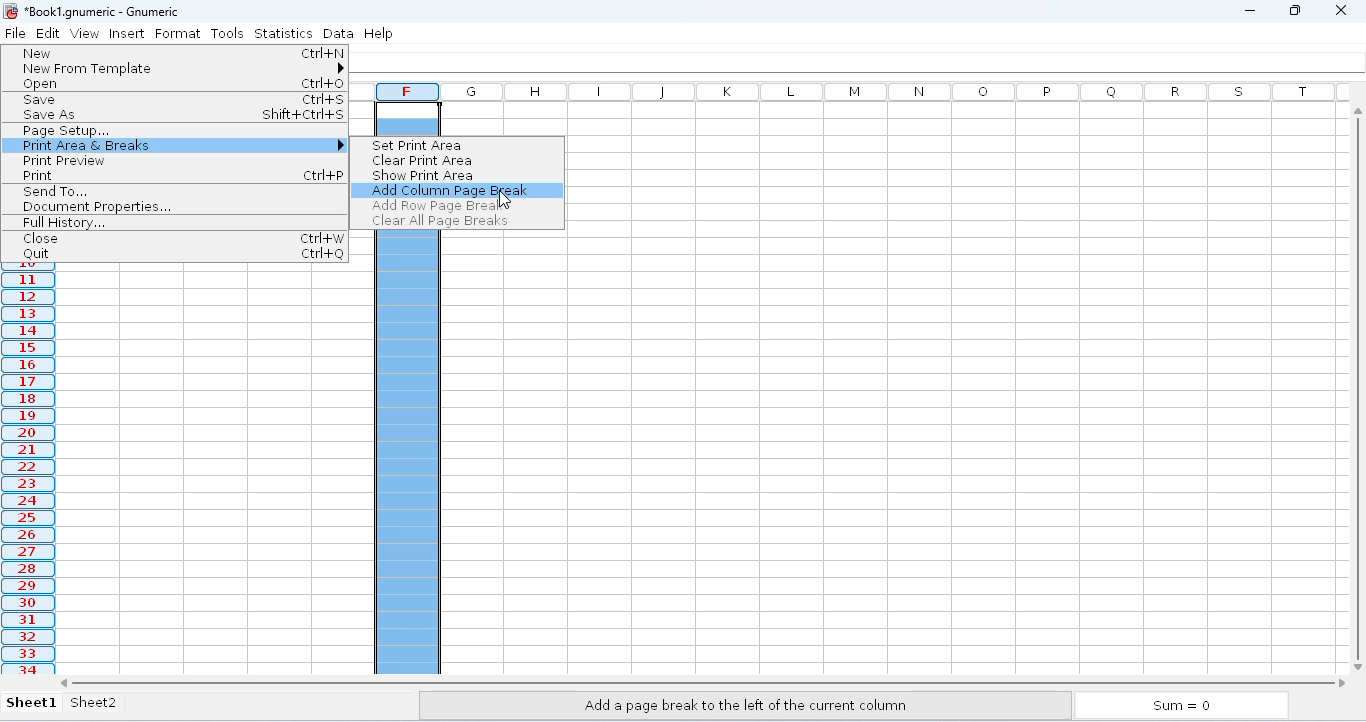 Image resolution: width=1366 pixels, height=722 pixels. Describe the element at coordinates (181, 69) in the screenshot. I see `new from template` at that location.